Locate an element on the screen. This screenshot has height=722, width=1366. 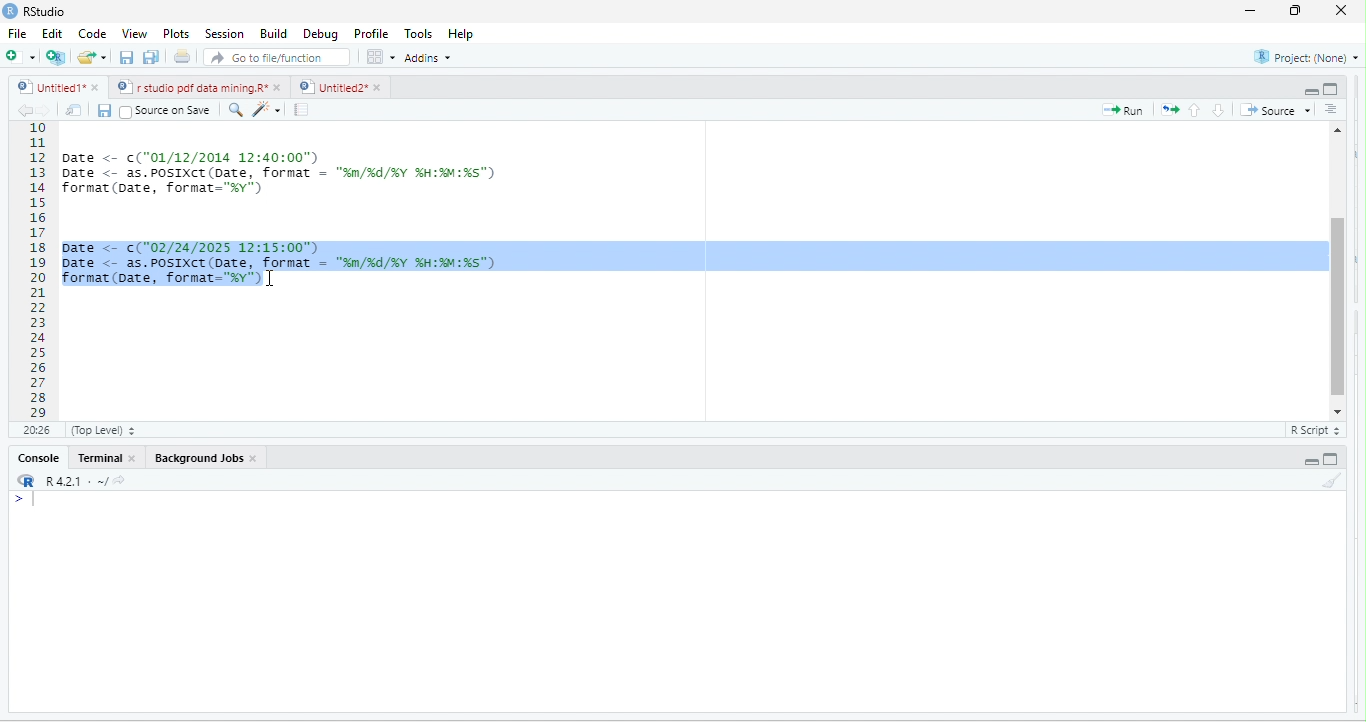
close is located at coordinates (380, 88).